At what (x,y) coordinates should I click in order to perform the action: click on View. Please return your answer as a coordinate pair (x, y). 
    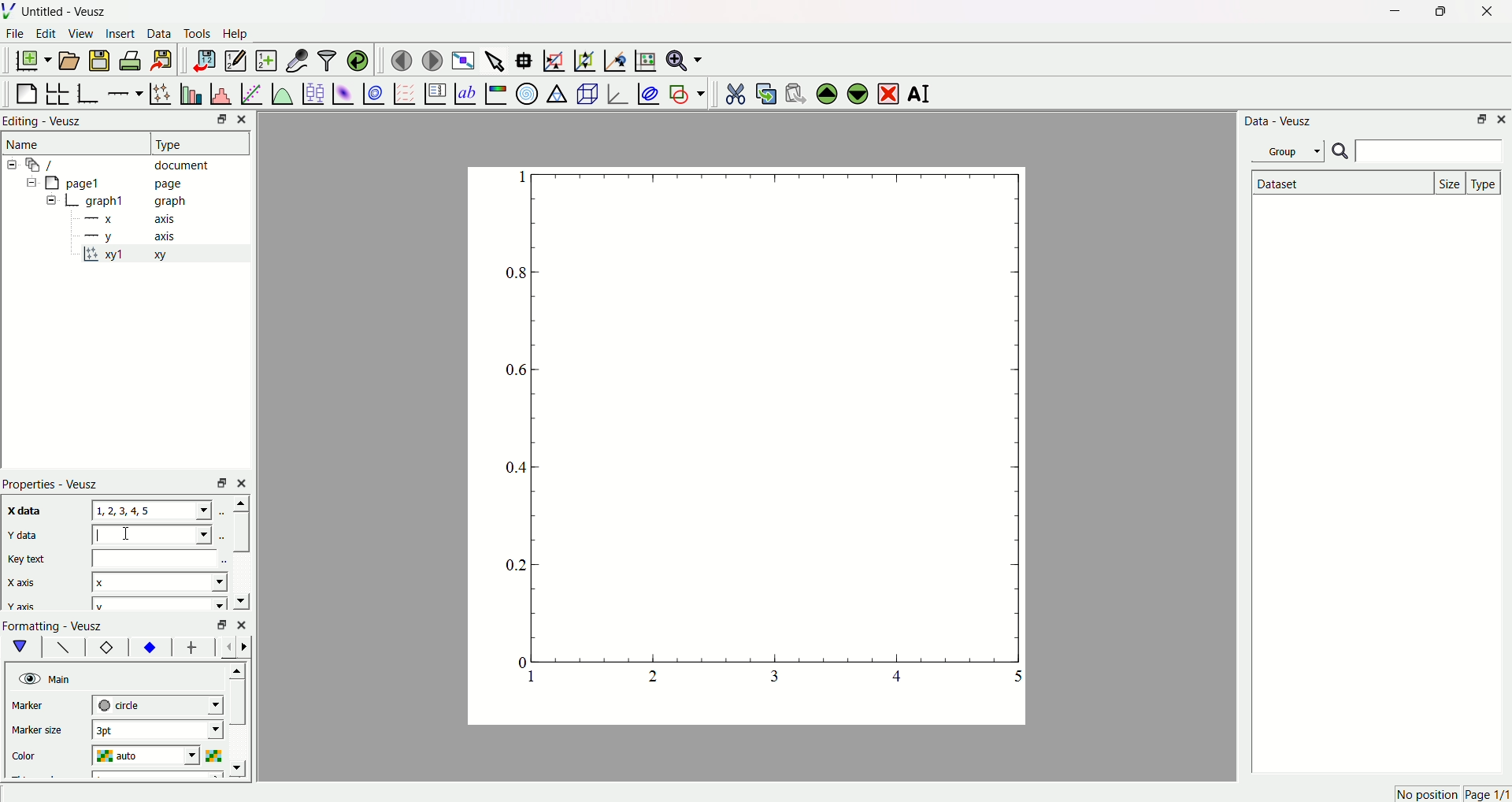
    Looking at the image, I should click on (81, 35).